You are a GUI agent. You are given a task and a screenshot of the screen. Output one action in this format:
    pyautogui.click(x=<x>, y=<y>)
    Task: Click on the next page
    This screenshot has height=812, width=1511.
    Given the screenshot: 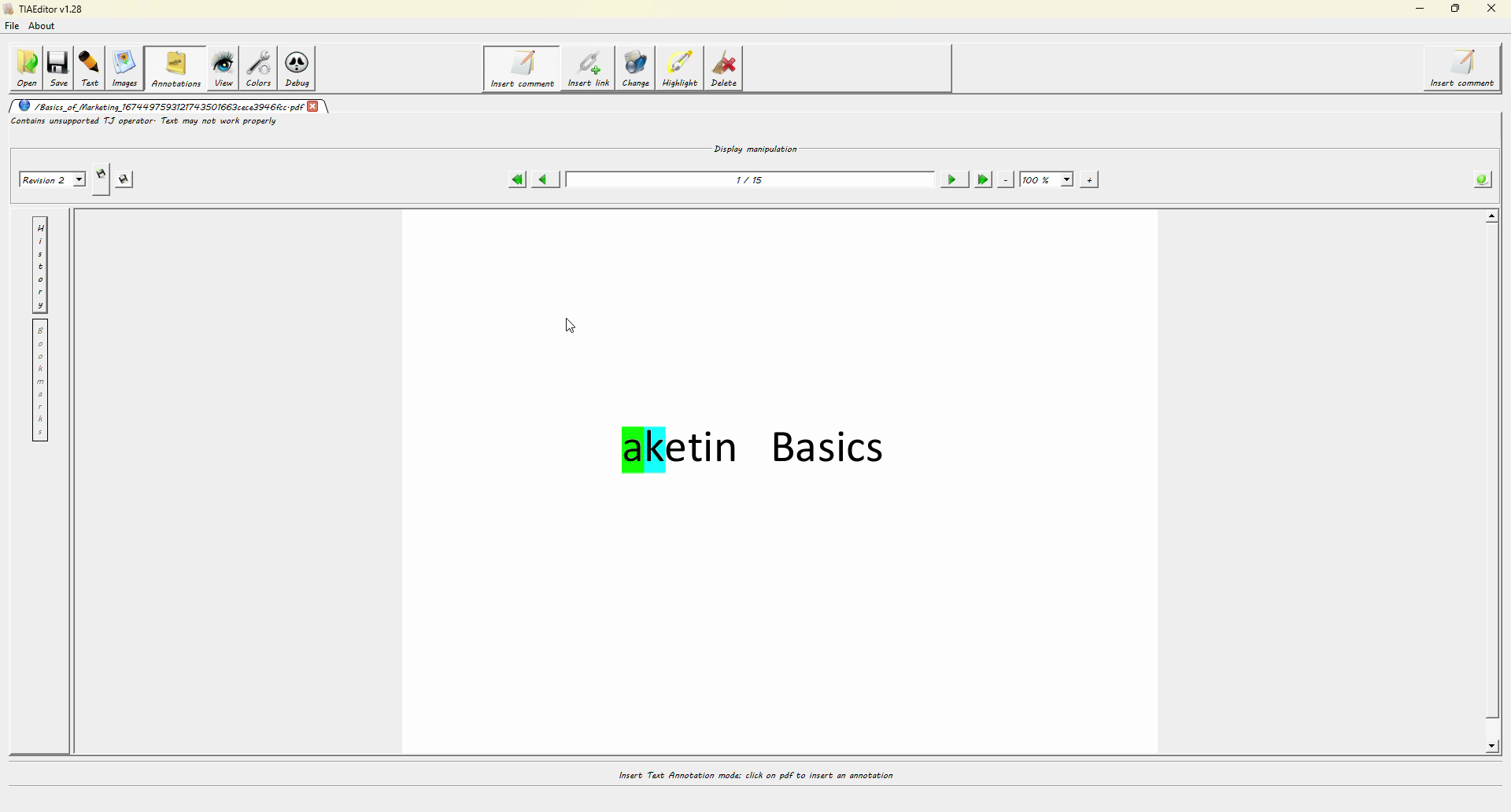 What is the action you would take?
    pyautogui.click(x=952, y=179)
    